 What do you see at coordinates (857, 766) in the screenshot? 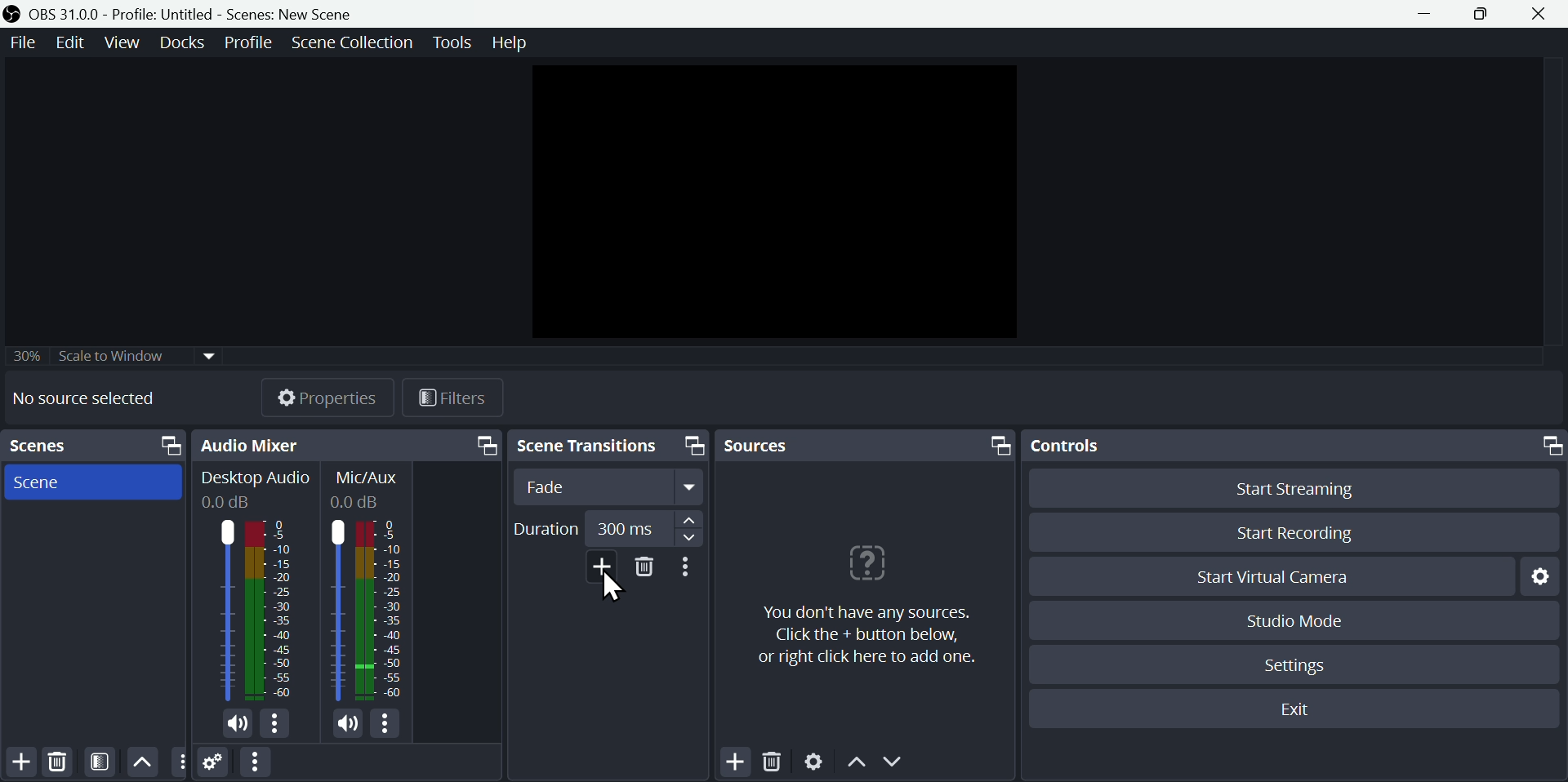
I see `up` at bounding box center [857, 766].